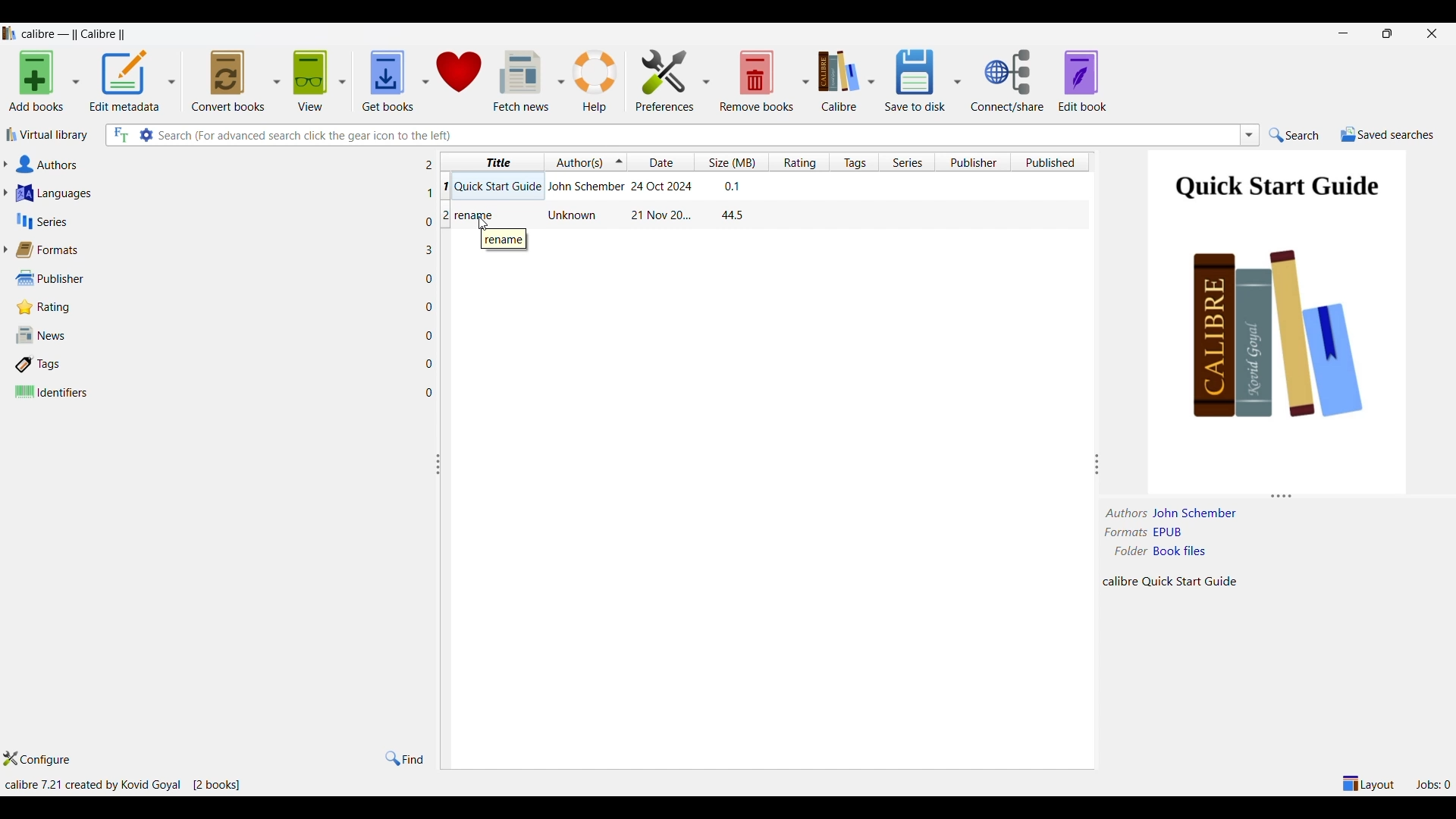 This screenshot has height=819, width=1456. Describe the element at coordinates (215, 366) in the screenshot. I see `Tags ` at that location.